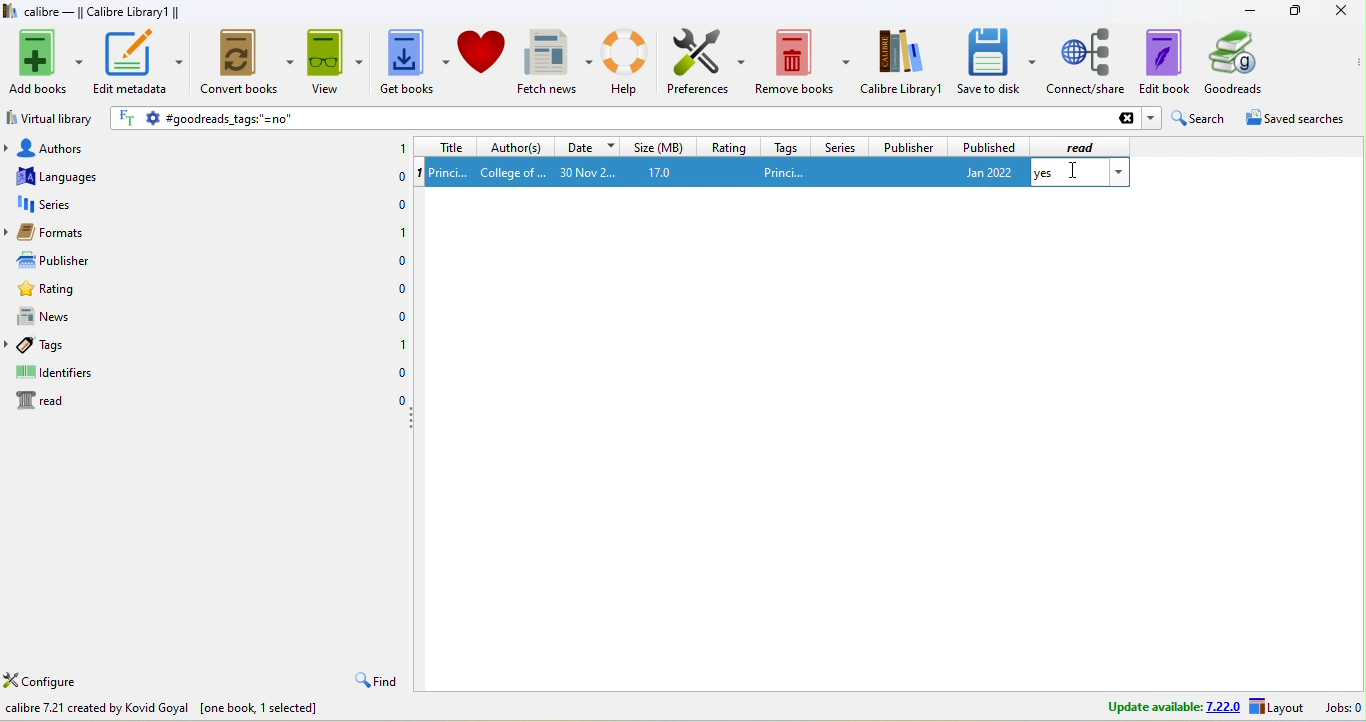  I want to click on 0, so click(401, 262).